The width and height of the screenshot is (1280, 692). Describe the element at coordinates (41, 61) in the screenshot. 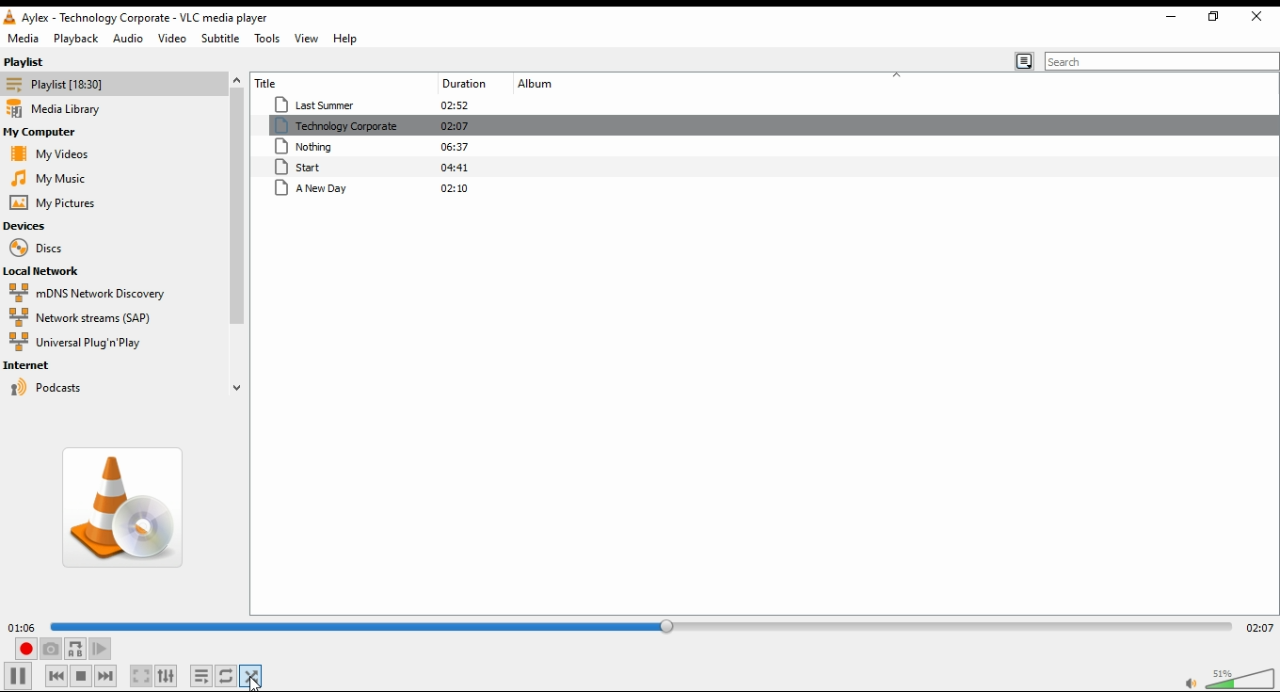

I see `playlist` at that location.